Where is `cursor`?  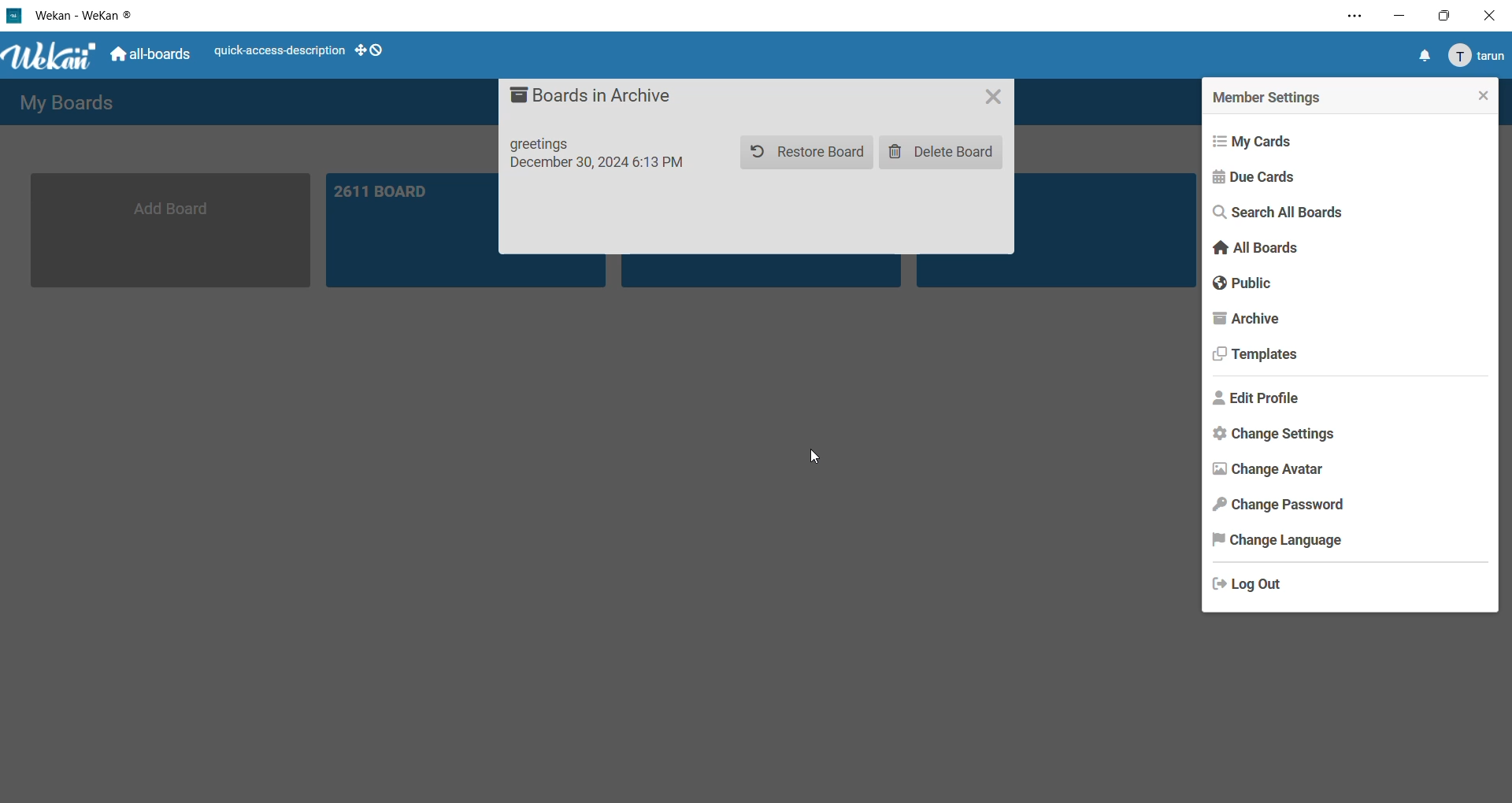
cursor is located at coordinates (813, 459).